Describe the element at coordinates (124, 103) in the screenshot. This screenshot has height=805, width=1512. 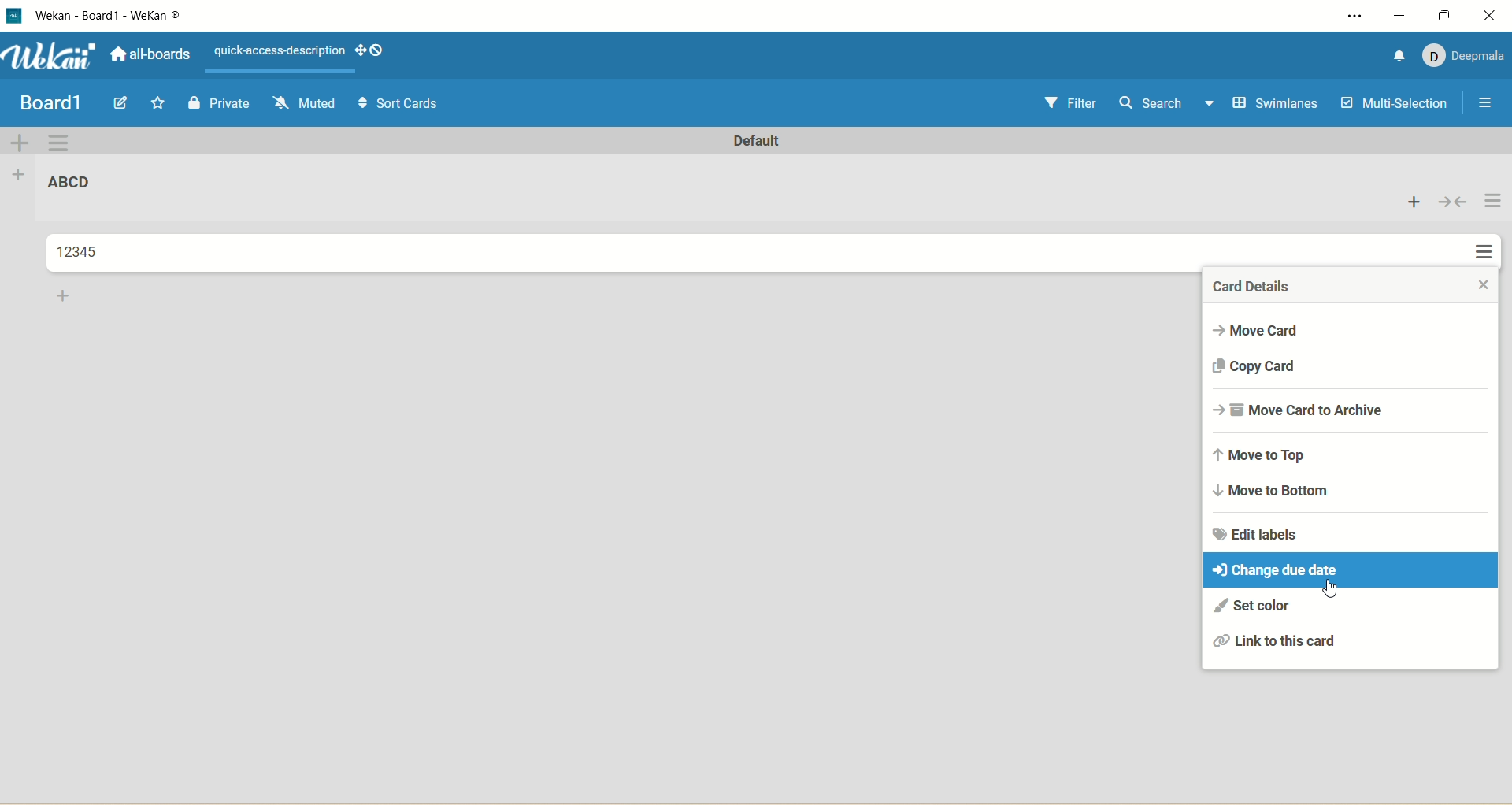
I see `edit` at that location.